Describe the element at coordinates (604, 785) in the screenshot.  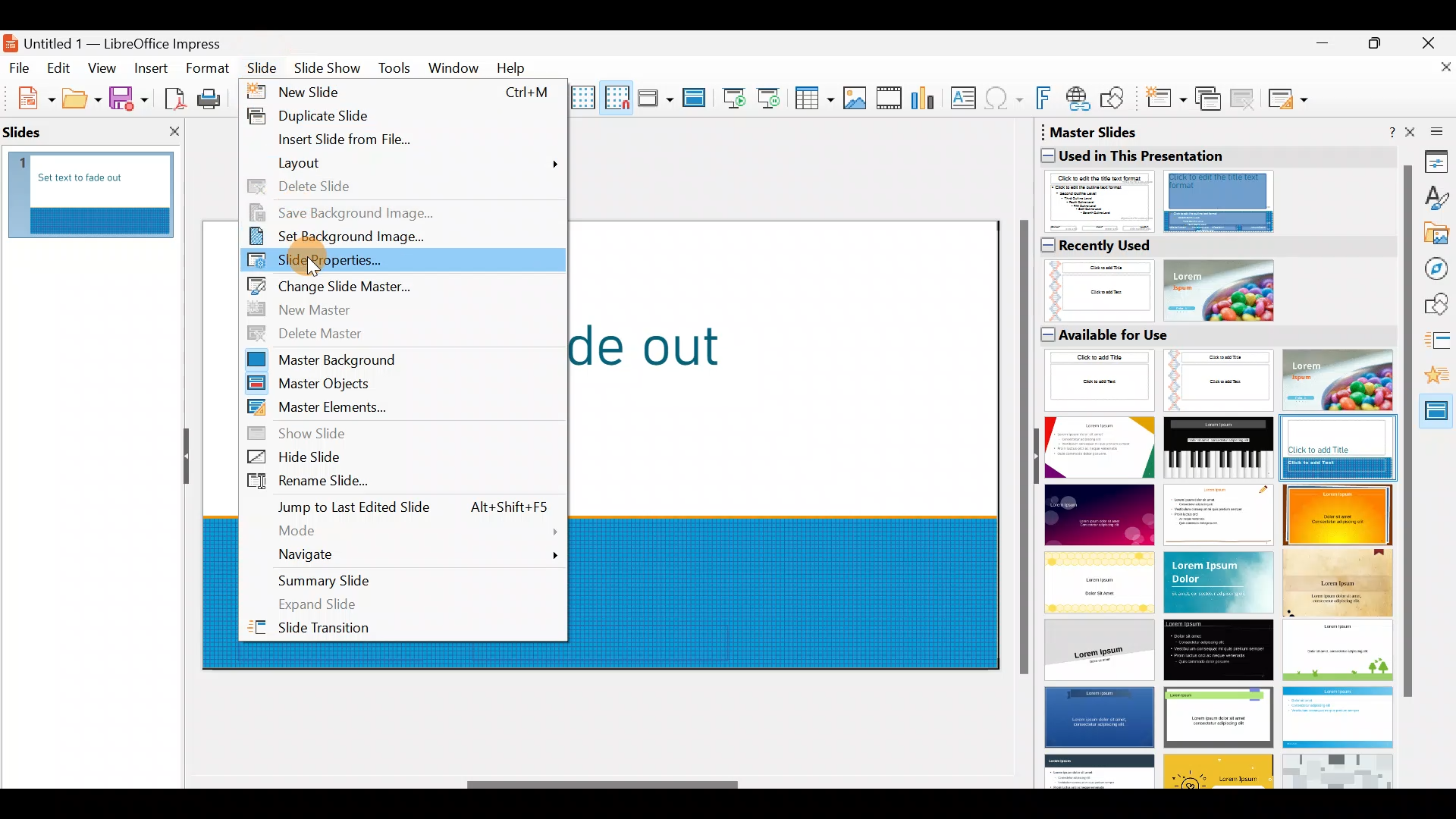
I see `Scroll bar` at that location.